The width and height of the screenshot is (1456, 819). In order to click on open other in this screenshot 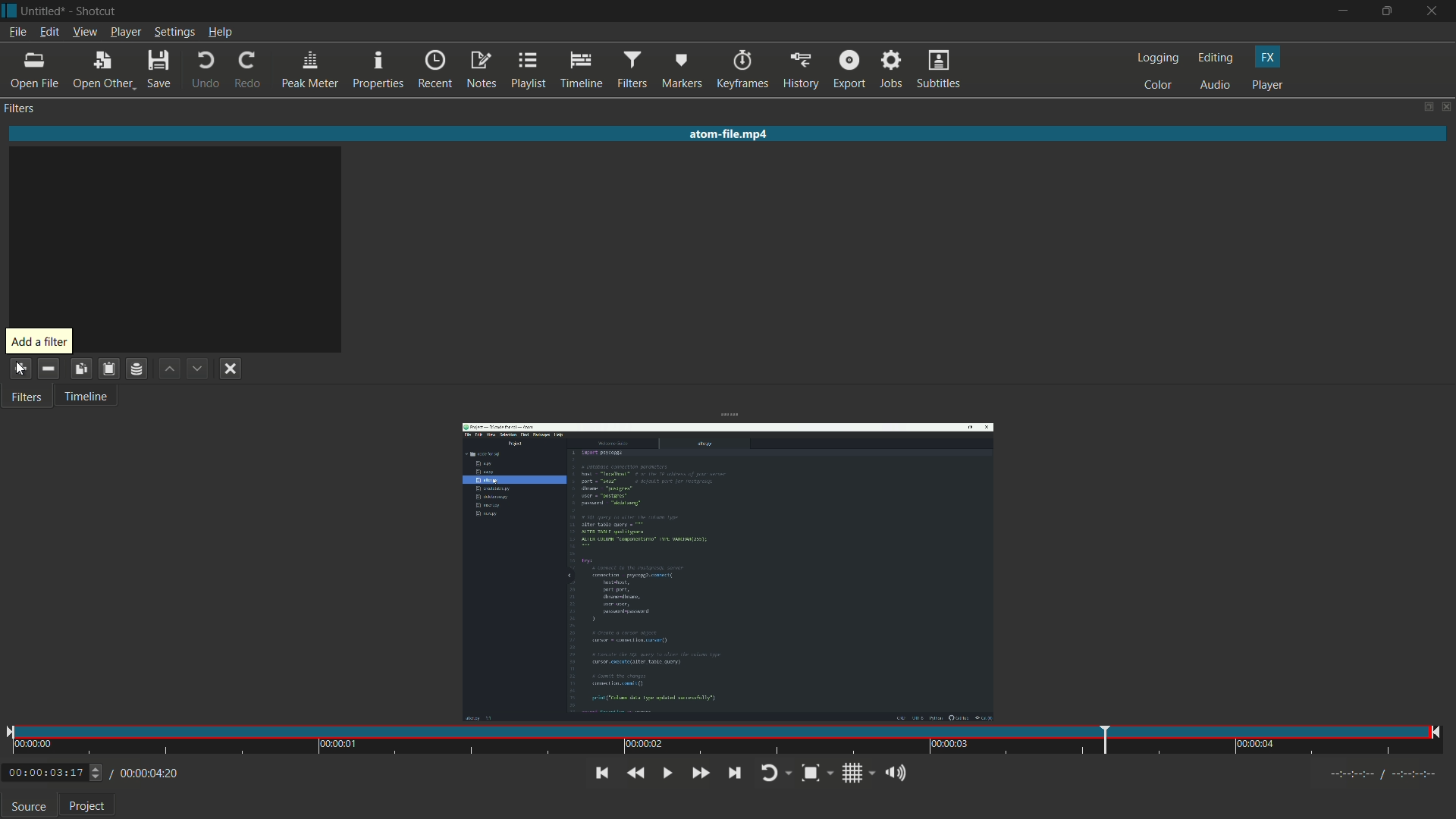, I will do `click(99, 71)`.